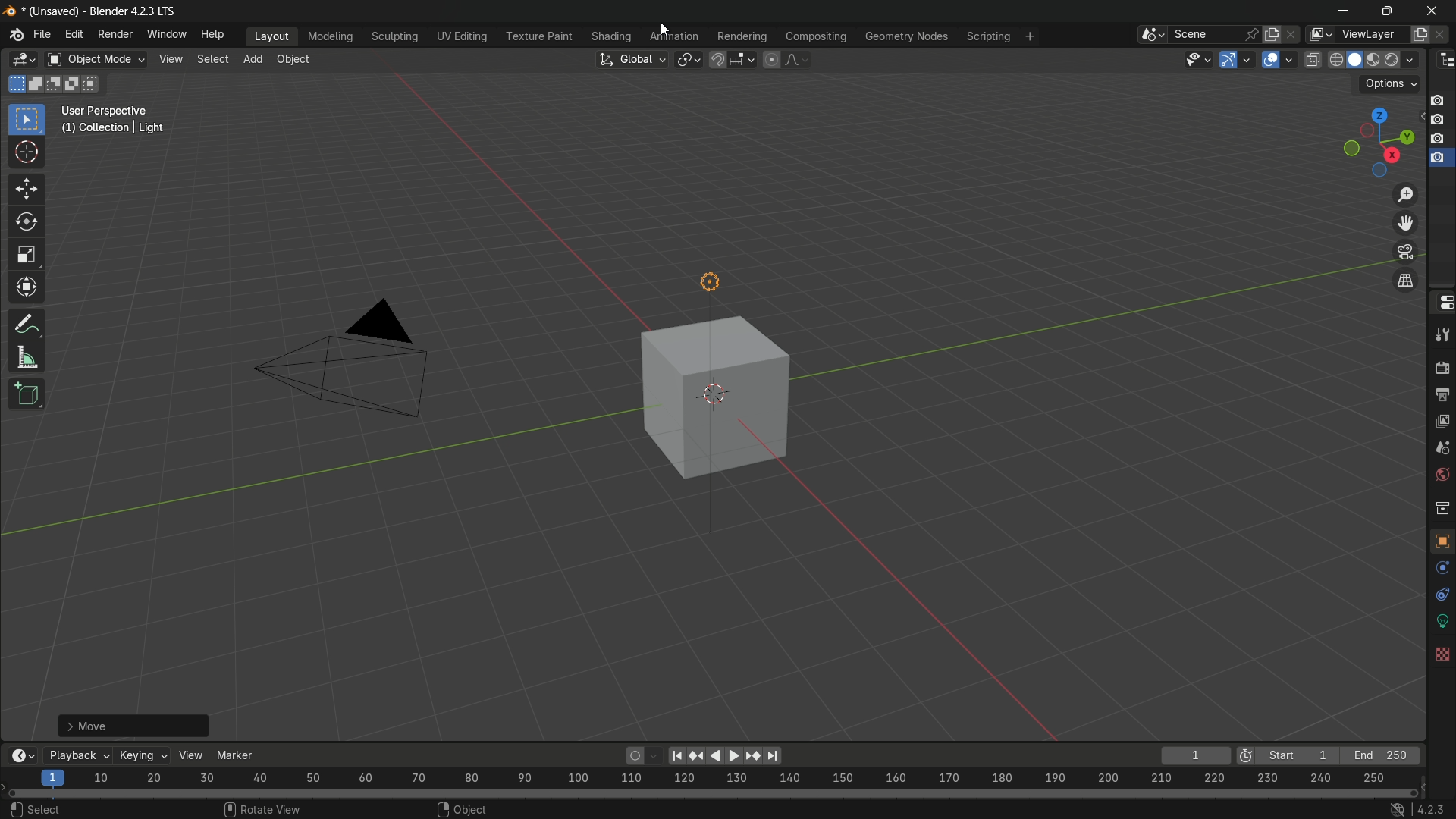 This screenshot has width=1456, height=819. What do you see at coordinates (1390, 83) in the screenshot?
I see `options` at bounding box center [1390, 83].